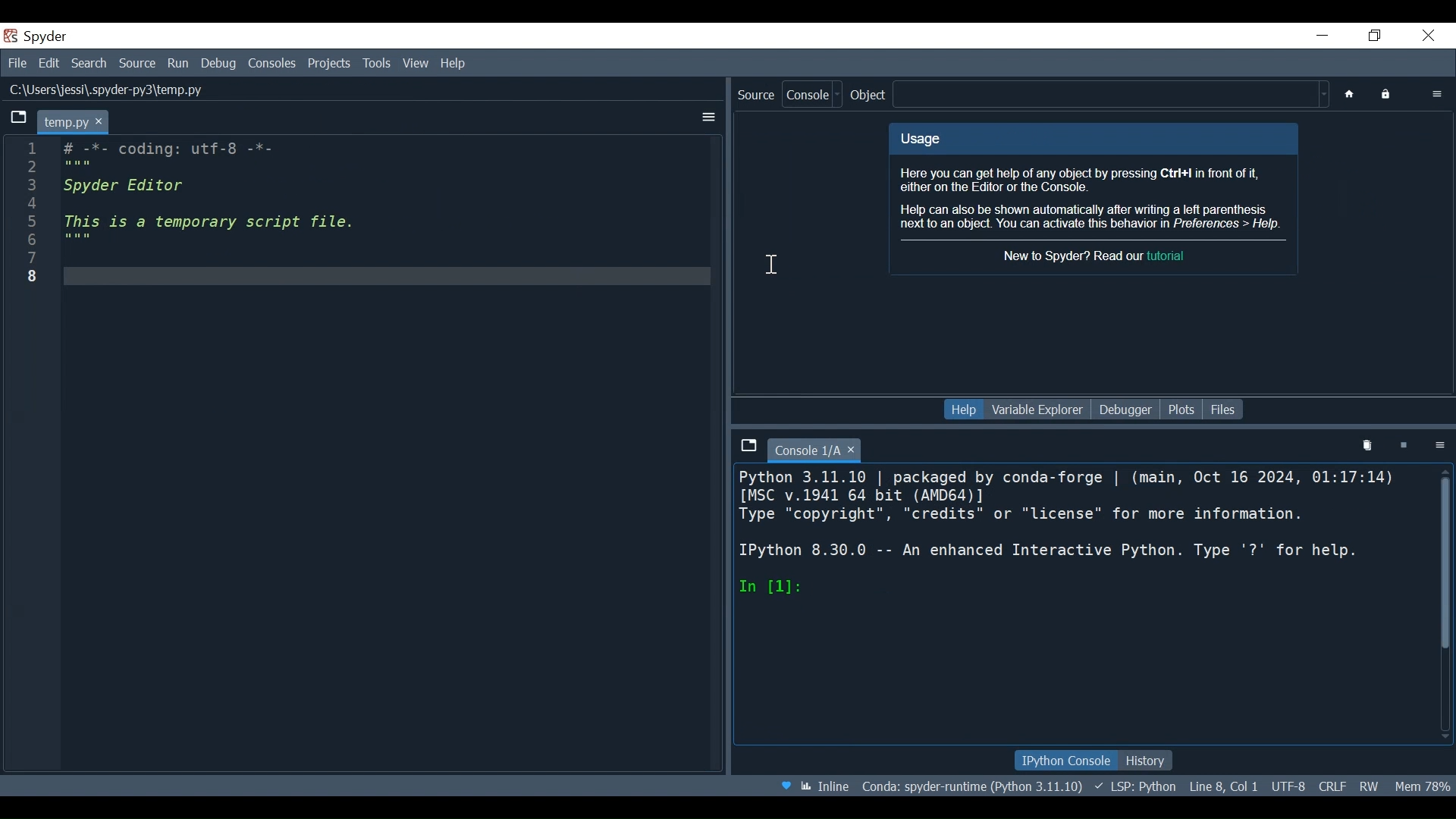 The height and width of the screenshot is (819, 1456). I want to click on Cursor Position, so click(1223, 786).